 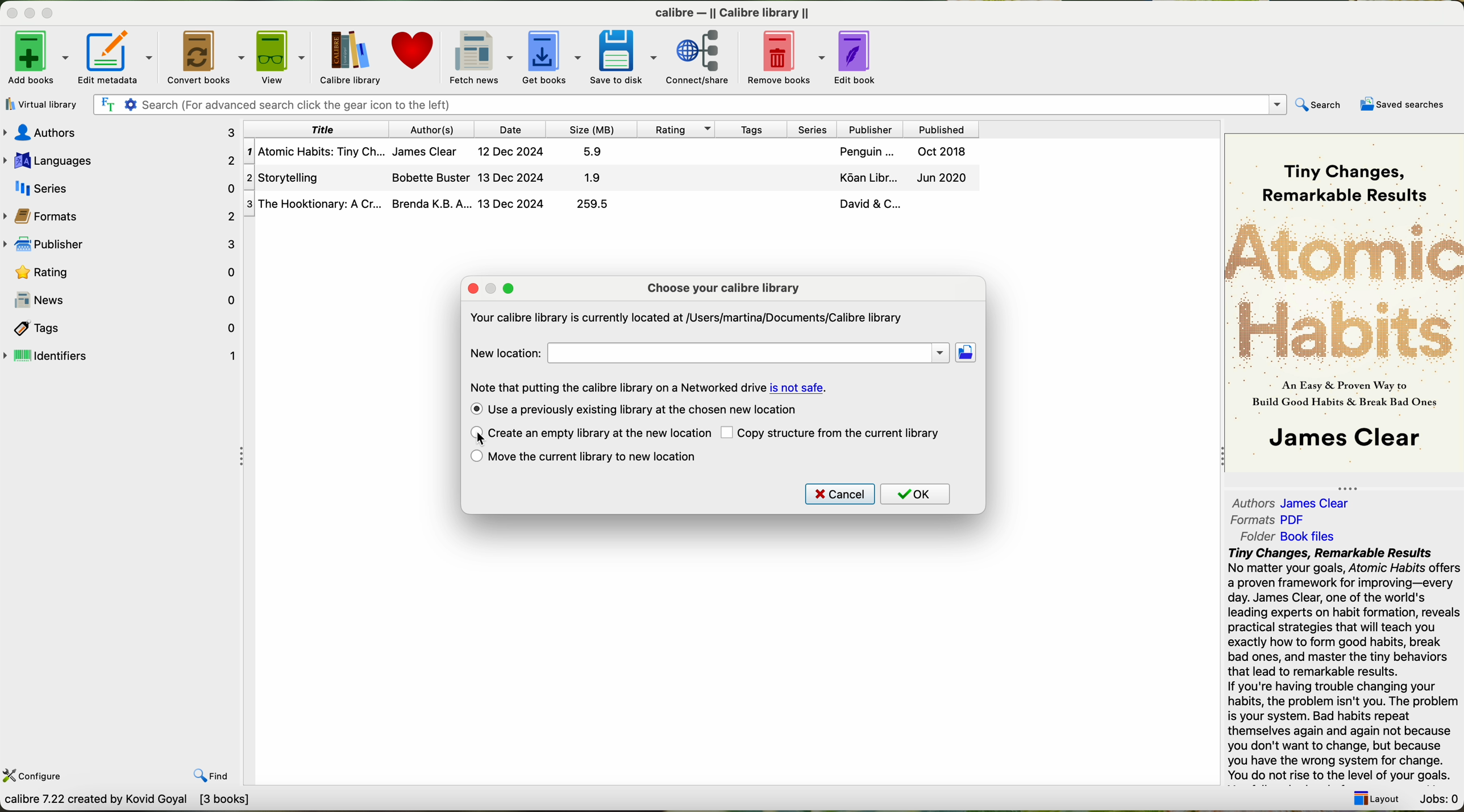 I want to click on formats:PDF, so click(x=1272, y=520).